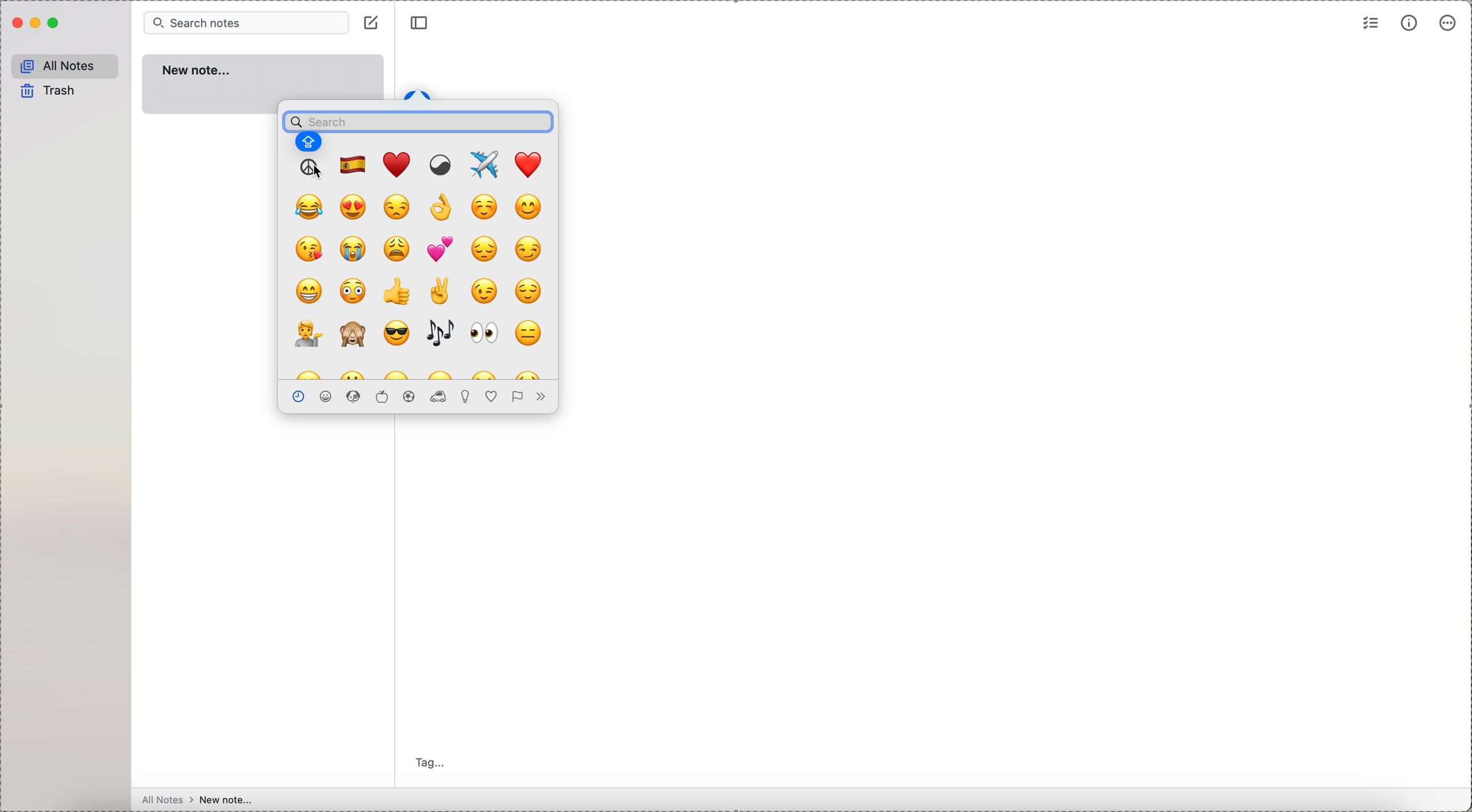 The height and width of the screenshot is (812, 1472). What do you see at coordinates (67, 65) in the screenshot?
I see `all notes` at bounding box center [67, 65].